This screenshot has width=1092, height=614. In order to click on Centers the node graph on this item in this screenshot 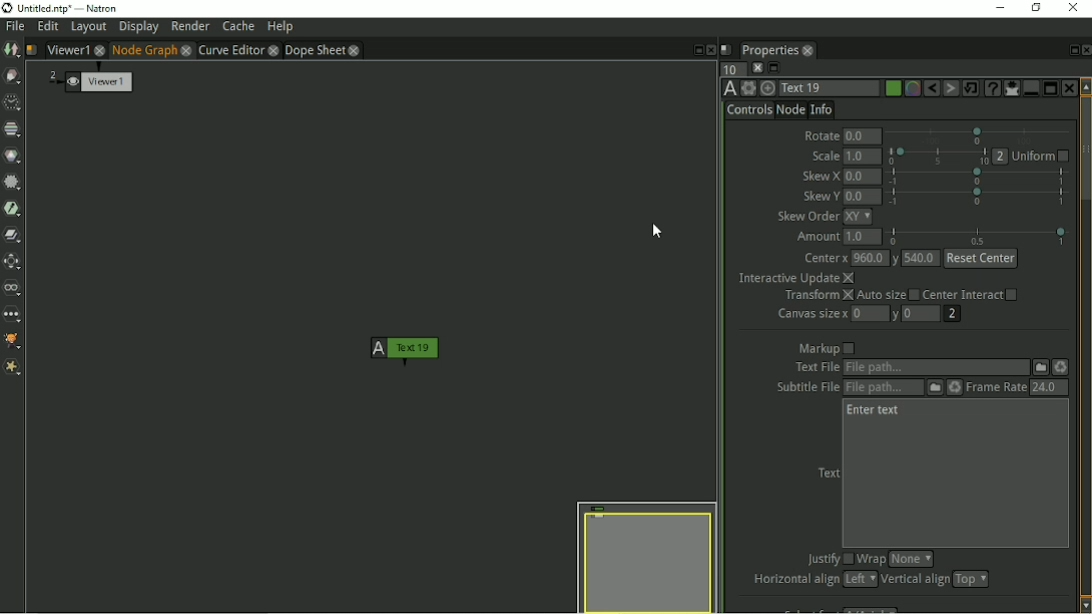, I will do `click(769, 88)`.